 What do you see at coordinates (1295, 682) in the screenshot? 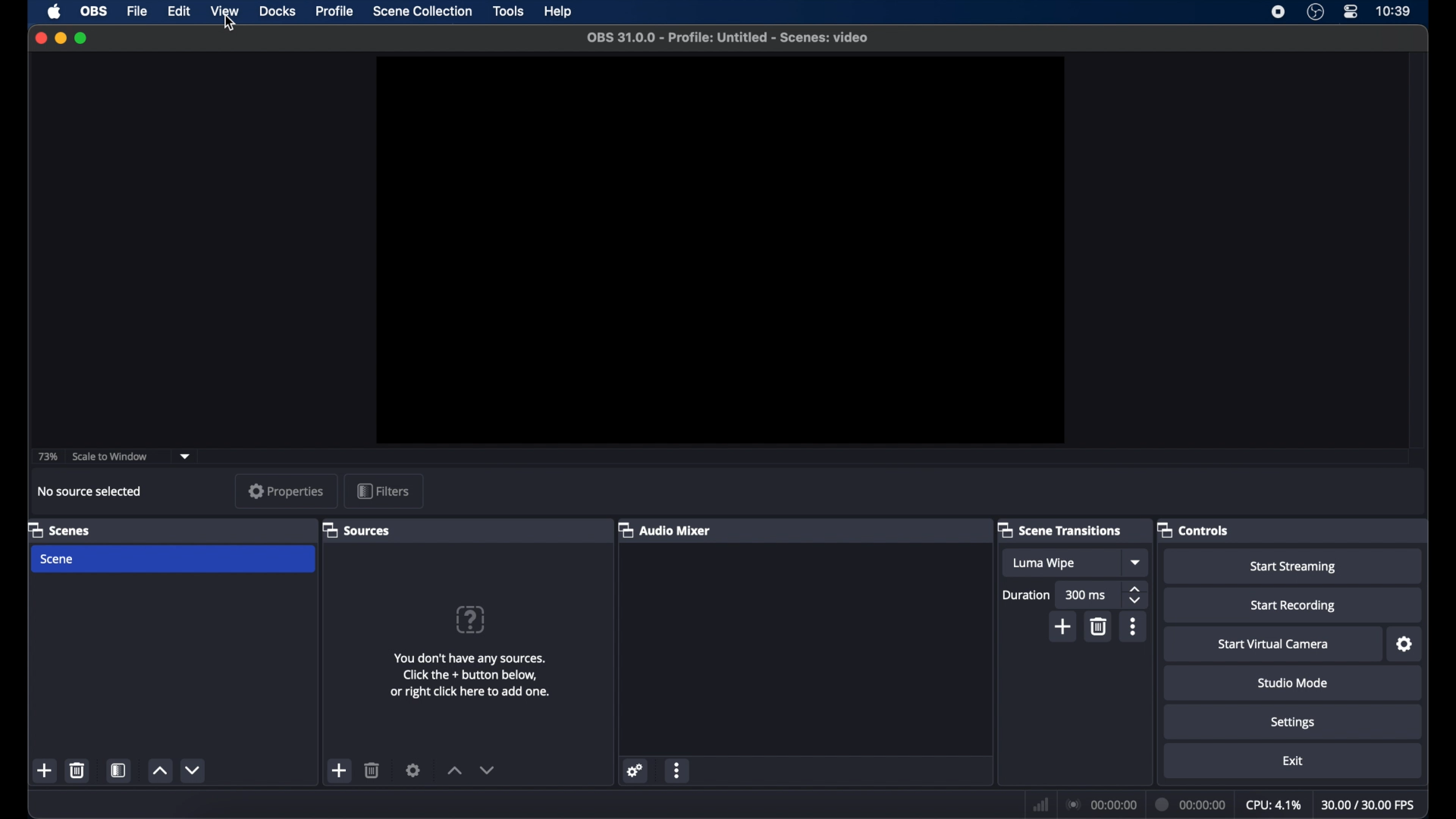
I see `studio mode` at bounding box center [1295, 682].